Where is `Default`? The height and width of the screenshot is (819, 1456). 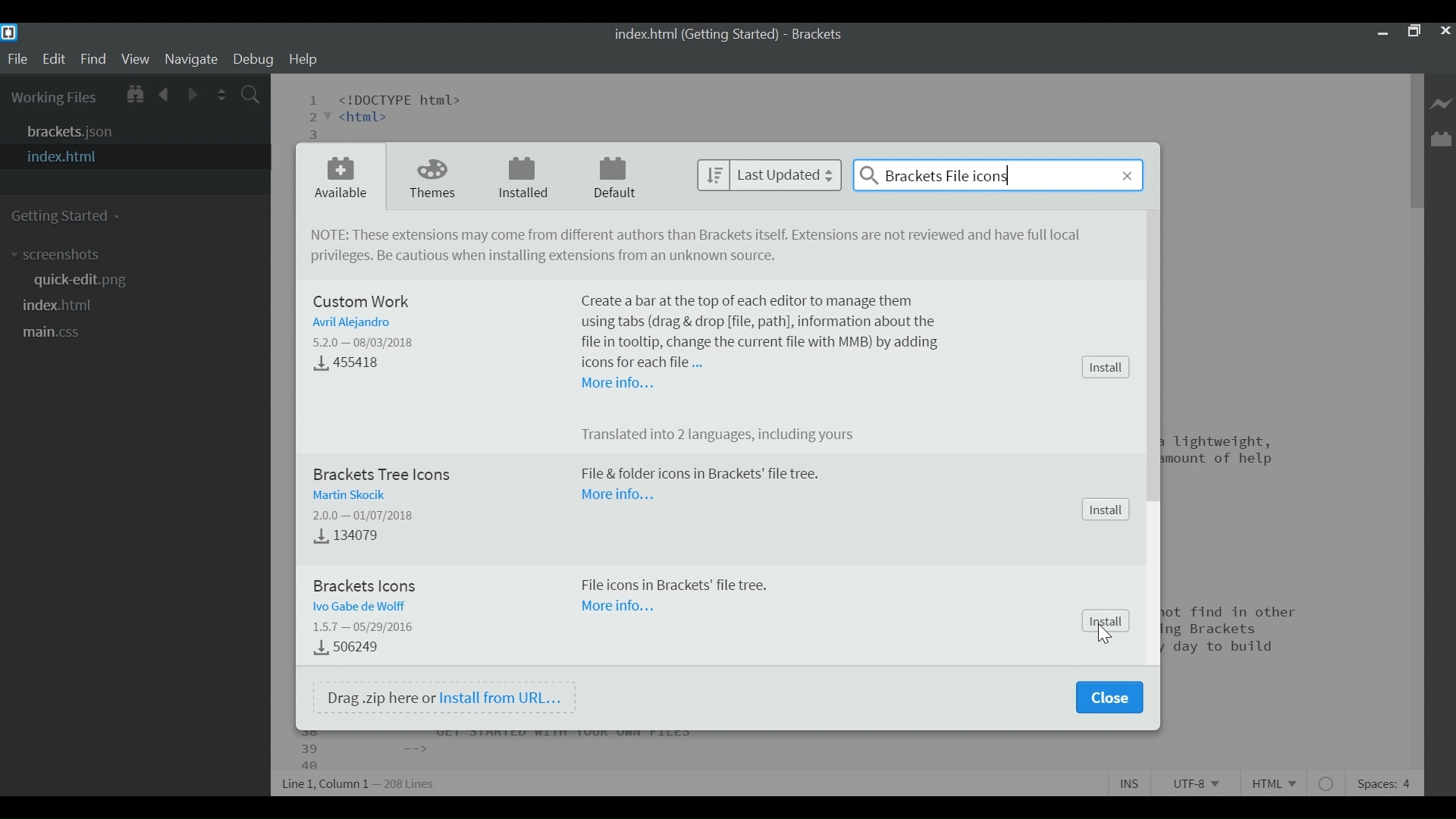
Default is located at coordinates (616, 177).